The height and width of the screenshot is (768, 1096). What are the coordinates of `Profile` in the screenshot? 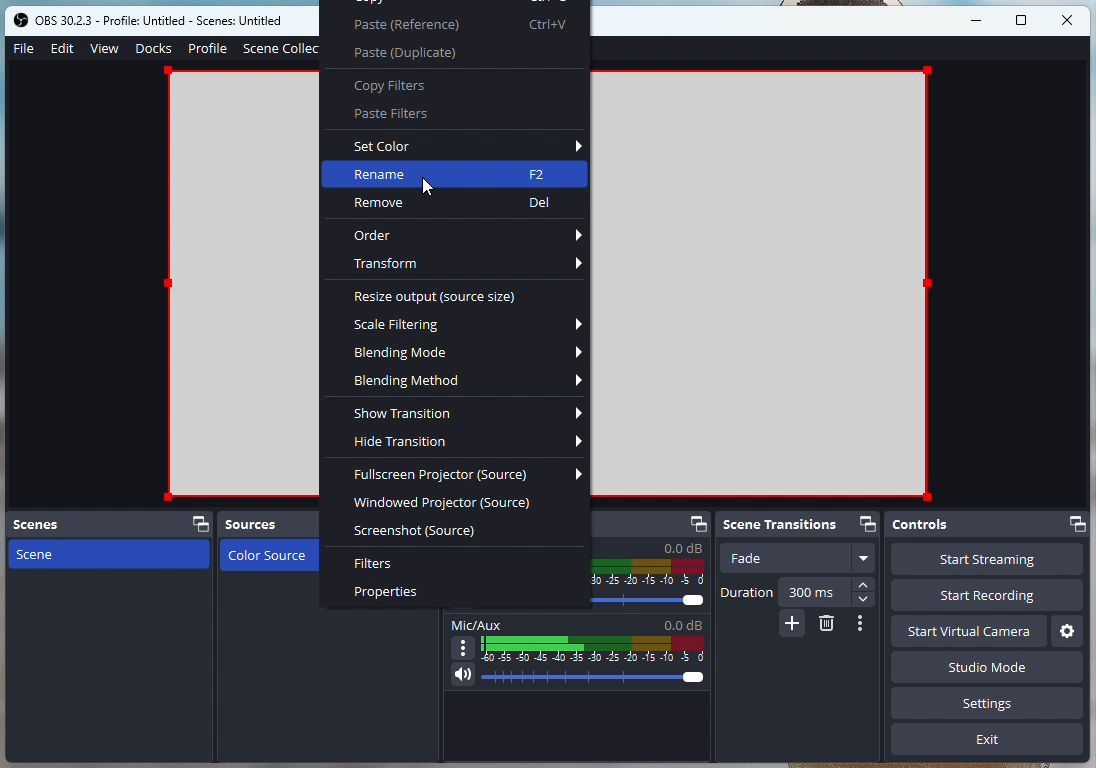 It's located at (207, 48).